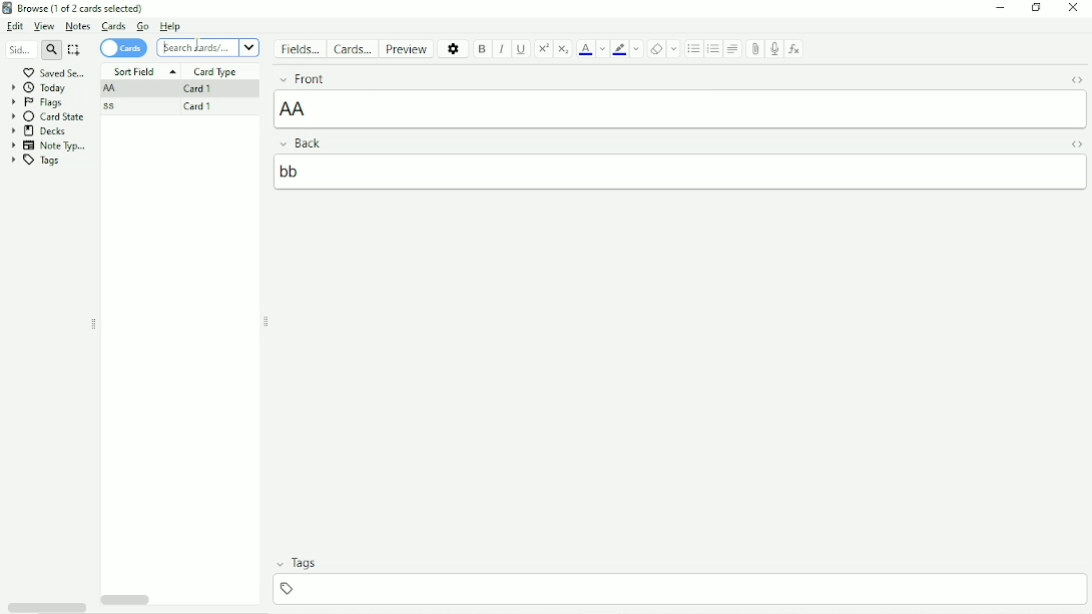 This screenshot has height=614, width=1092. I want to click on Select, so click(76, 50).